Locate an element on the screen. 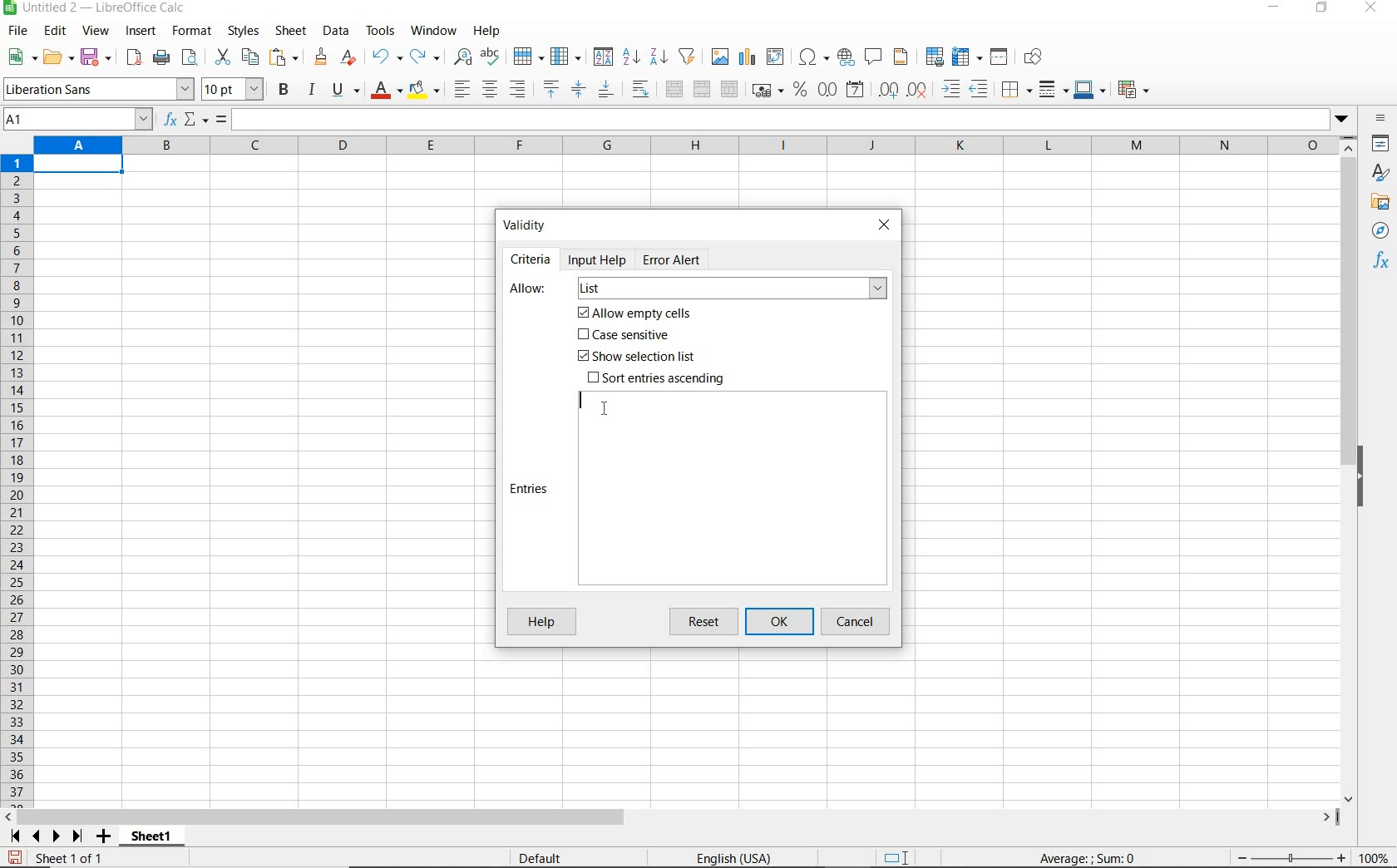 The image size is (1397, 868). coditional is located at coordinates (1132, 90).